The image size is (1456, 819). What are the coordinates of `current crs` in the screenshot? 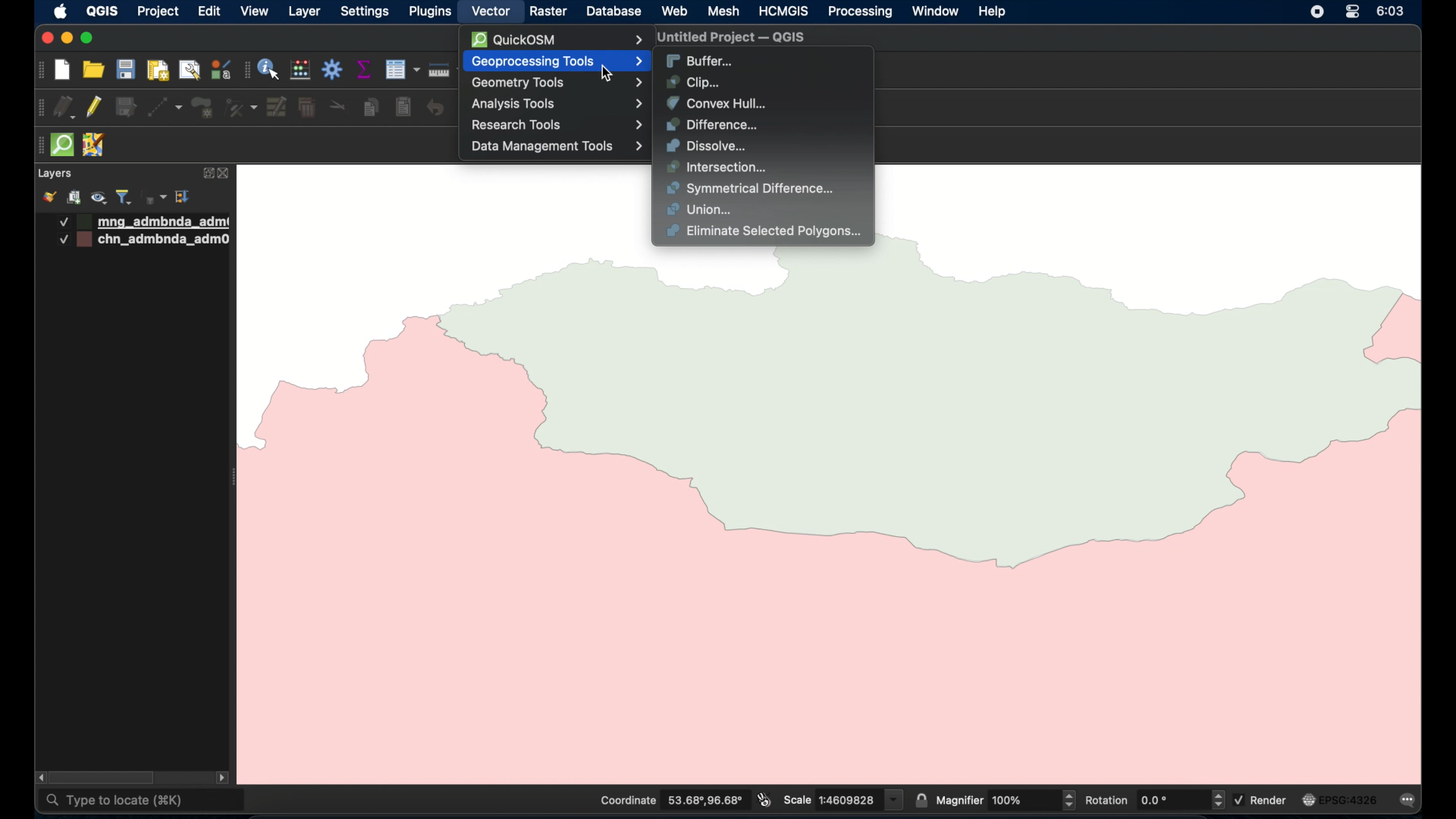 It's located at (1340, 799).